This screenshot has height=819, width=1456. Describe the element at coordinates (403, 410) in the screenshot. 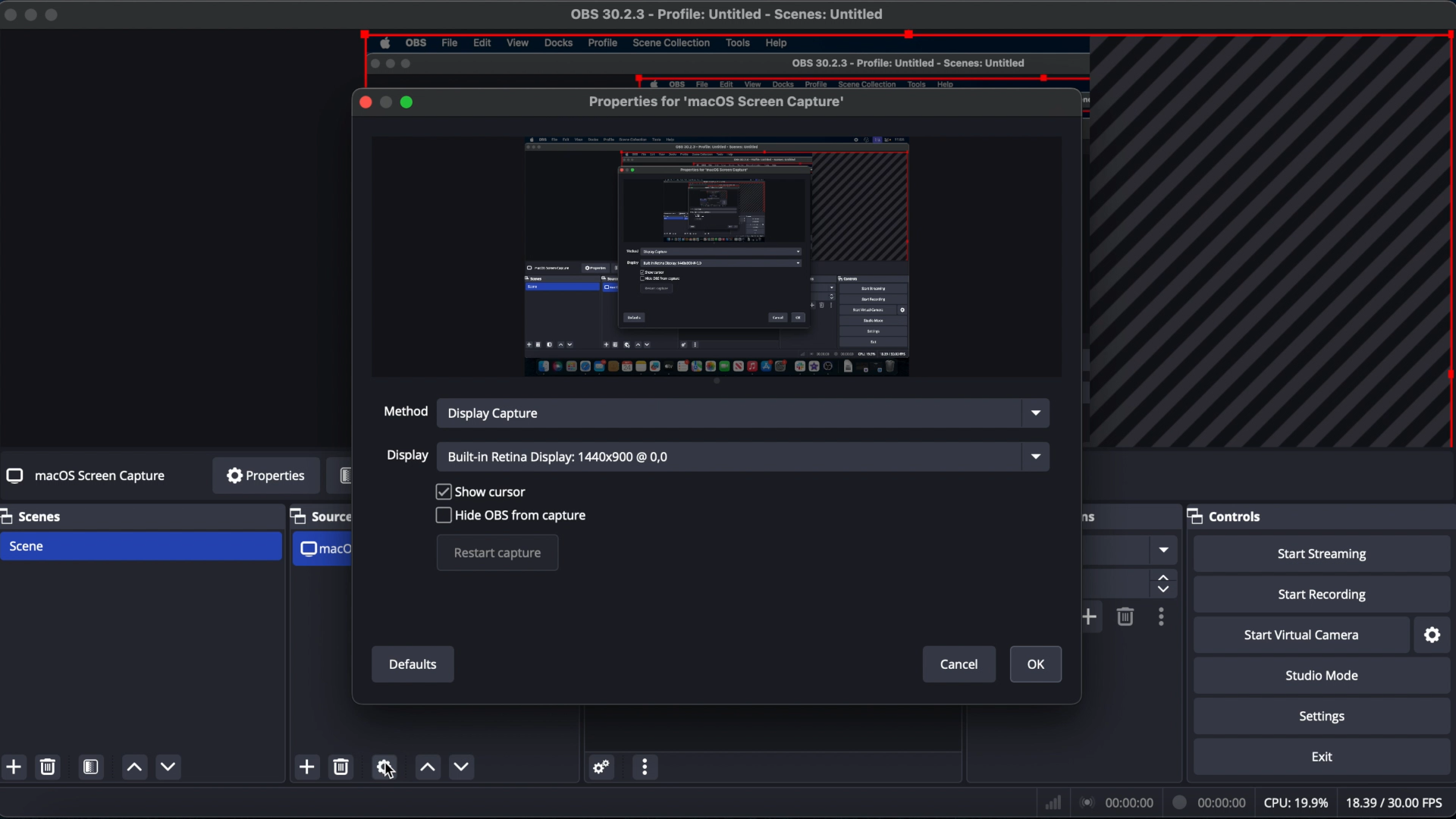

I see `method` at that location.